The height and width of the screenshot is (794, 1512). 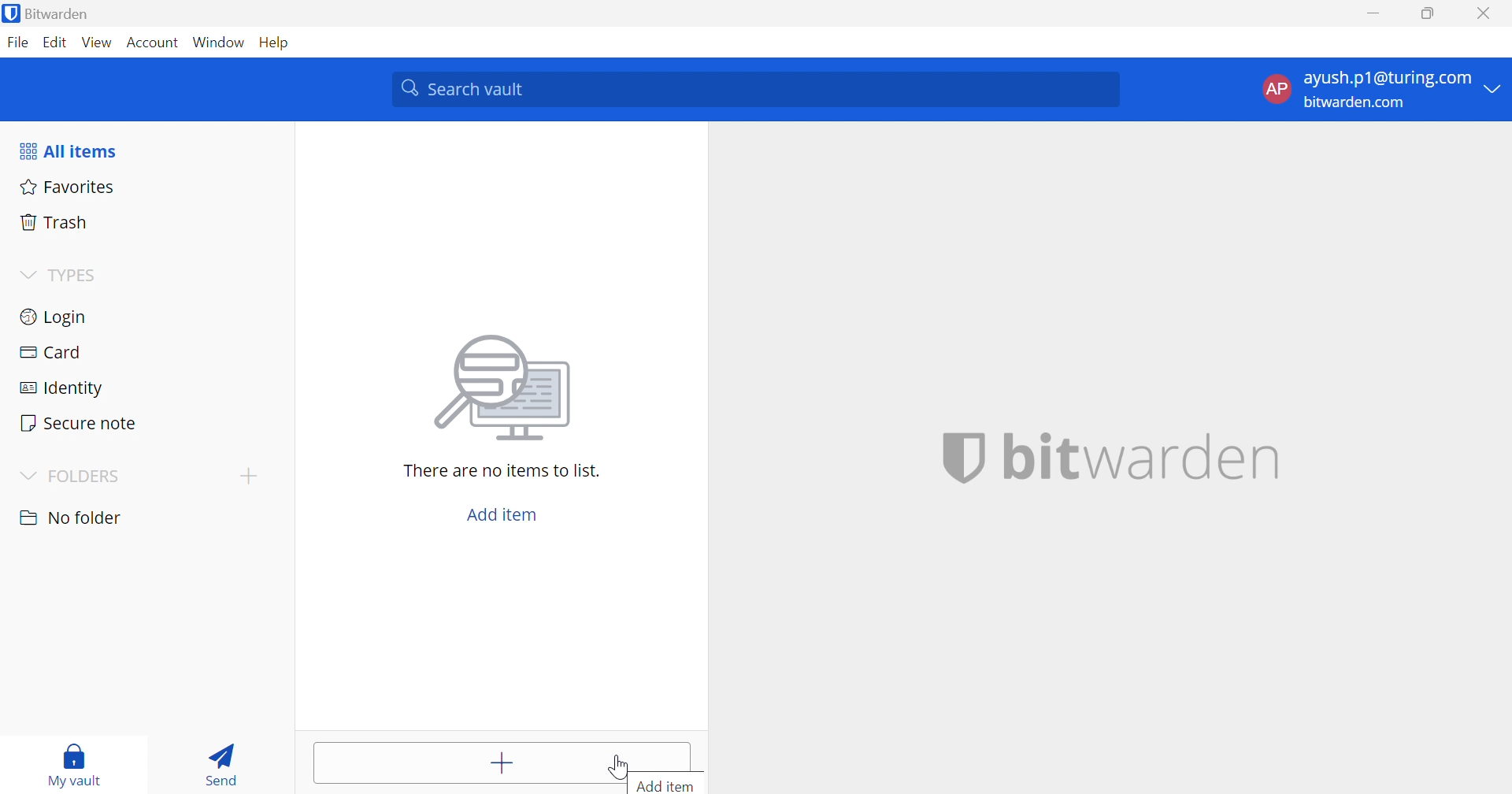 I want to click on Add item, so click(x=663, y=785).